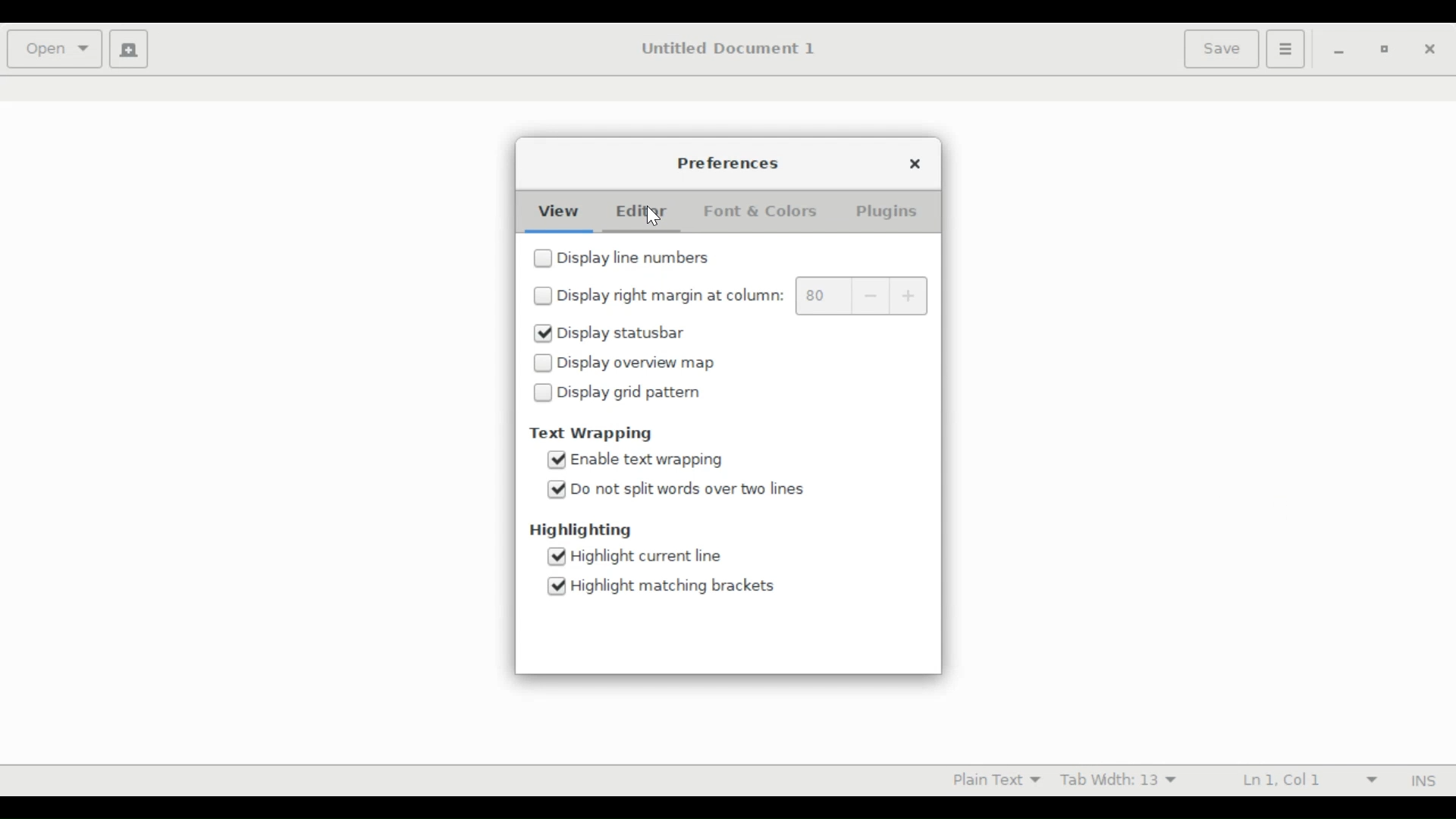 The image size is (1456, 819). I want to click on Editor, so click(640, 211).